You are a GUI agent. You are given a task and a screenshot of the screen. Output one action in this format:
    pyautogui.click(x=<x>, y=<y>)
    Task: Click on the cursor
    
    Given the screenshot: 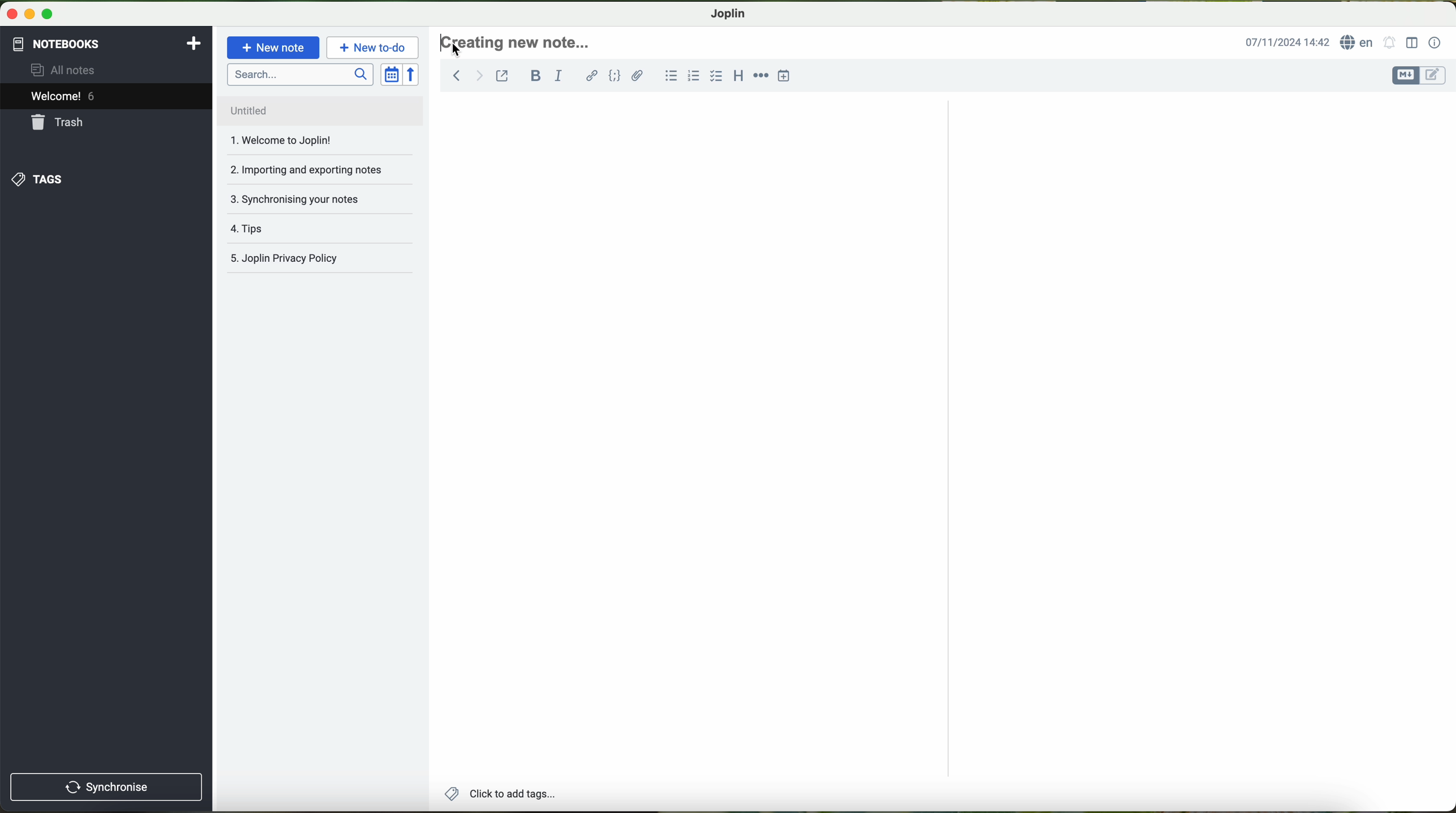 What is the action you would take?
    pyautogui.click(x=460, y=54)
    